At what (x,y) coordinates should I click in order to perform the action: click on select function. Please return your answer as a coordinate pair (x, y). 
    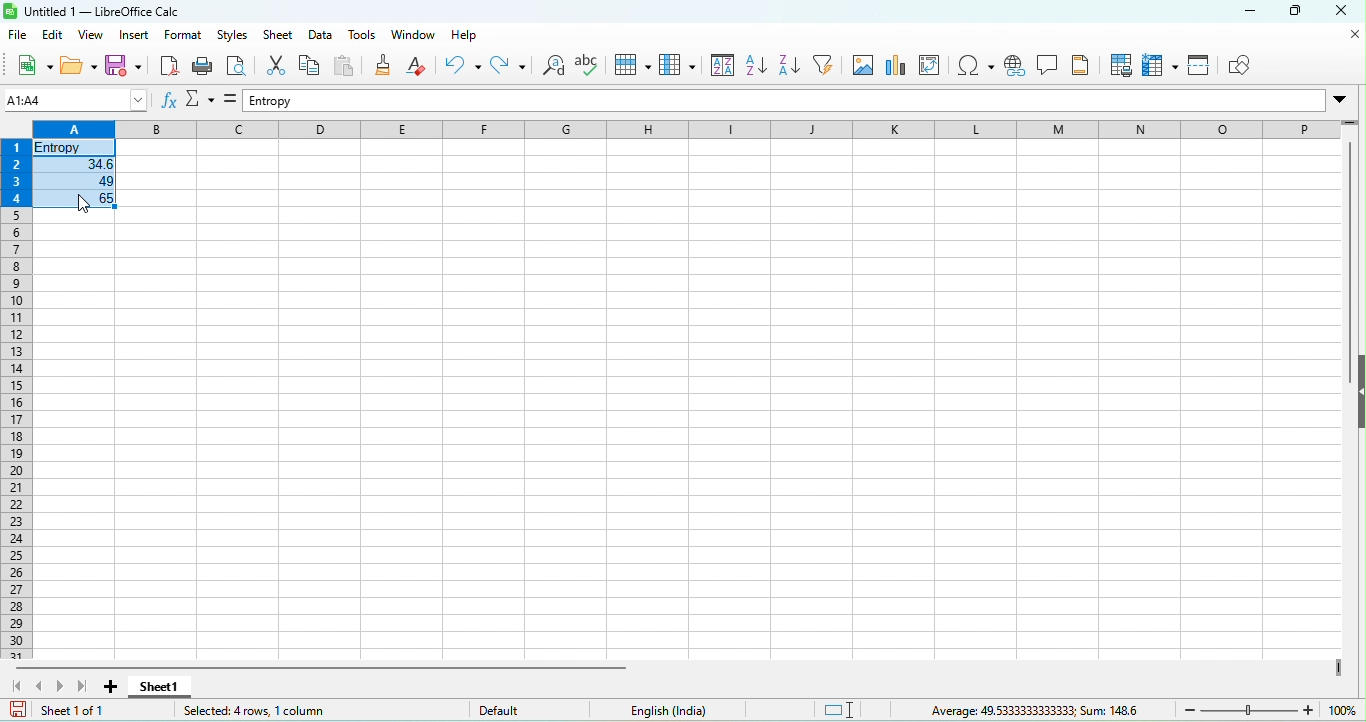
    Looking at the image, I should click on (203, 102).